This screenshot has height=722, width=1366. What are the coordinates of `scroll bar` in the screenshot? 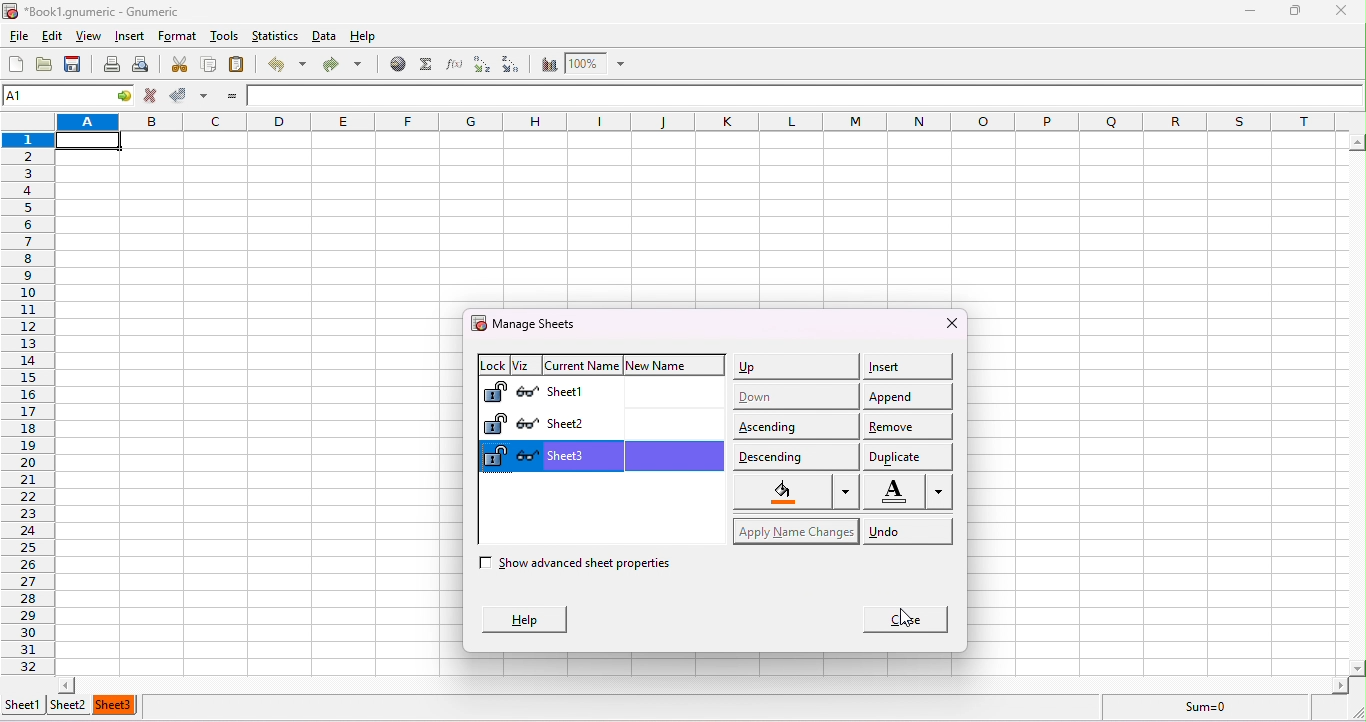 It's located at (706, 684).